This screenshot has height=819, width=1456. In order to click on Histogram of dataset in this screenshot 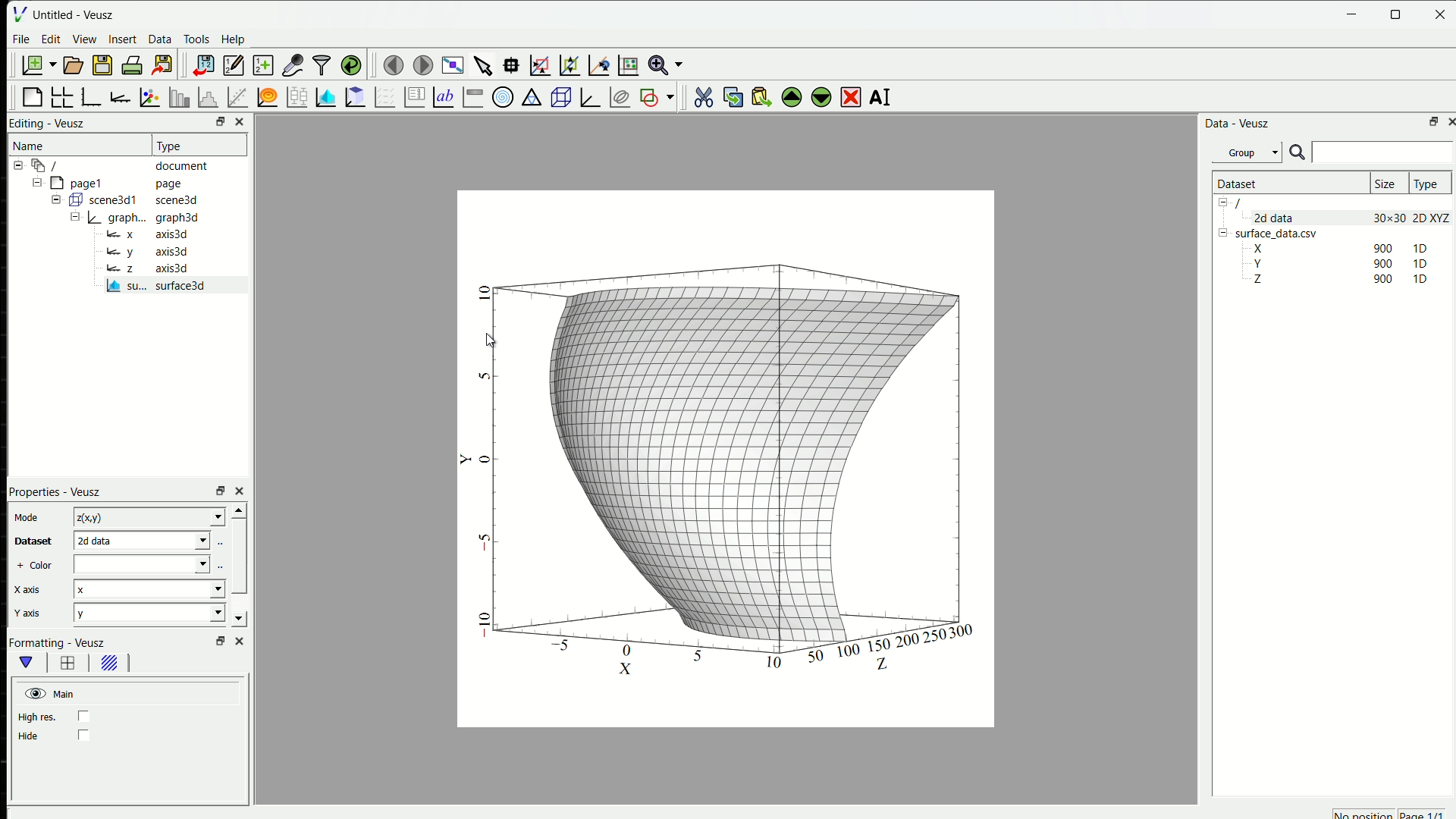, I will do `click(209, 96)`.